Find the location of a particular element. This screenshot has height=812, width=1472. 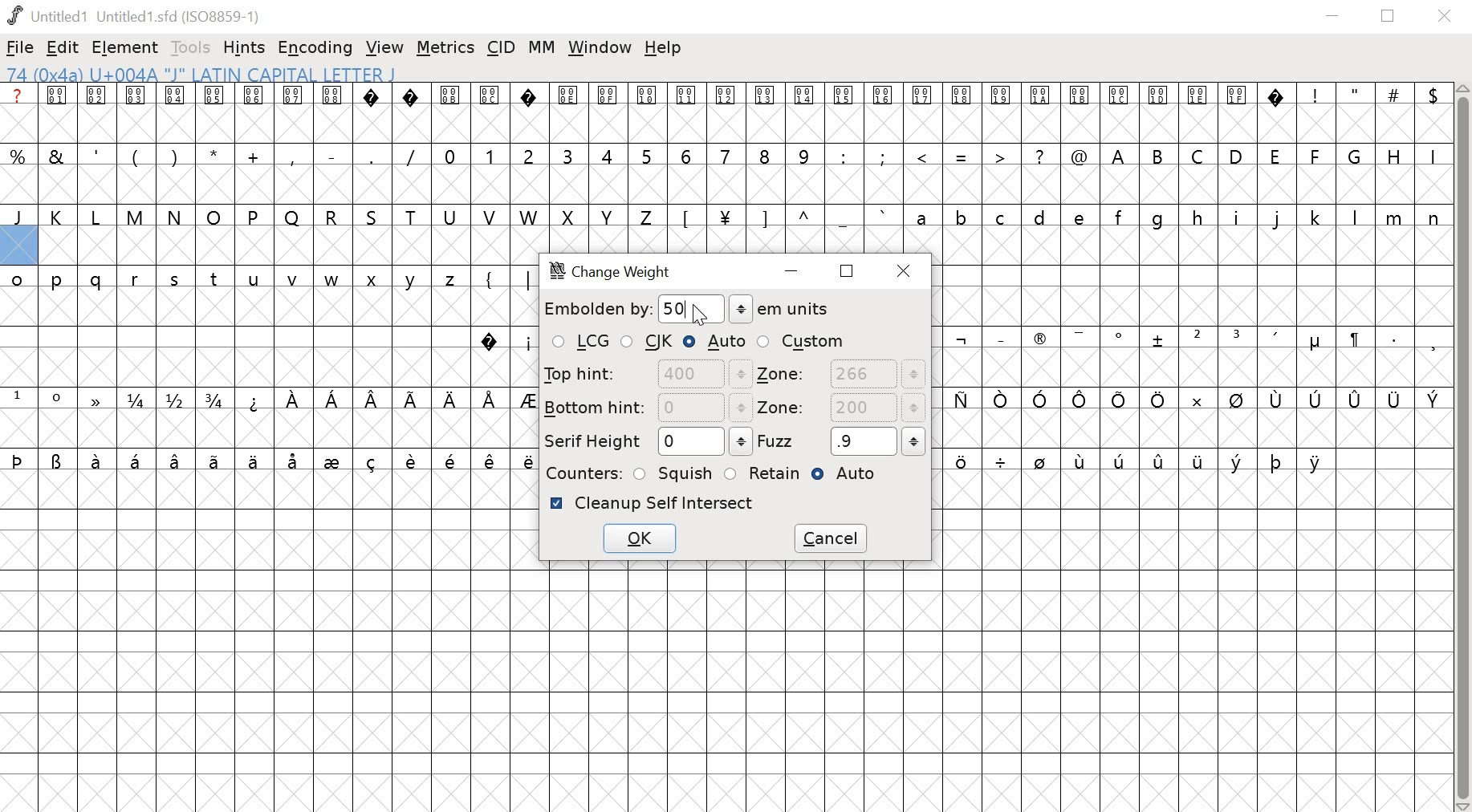

superscript numbers is located at coordinates (38, 397).